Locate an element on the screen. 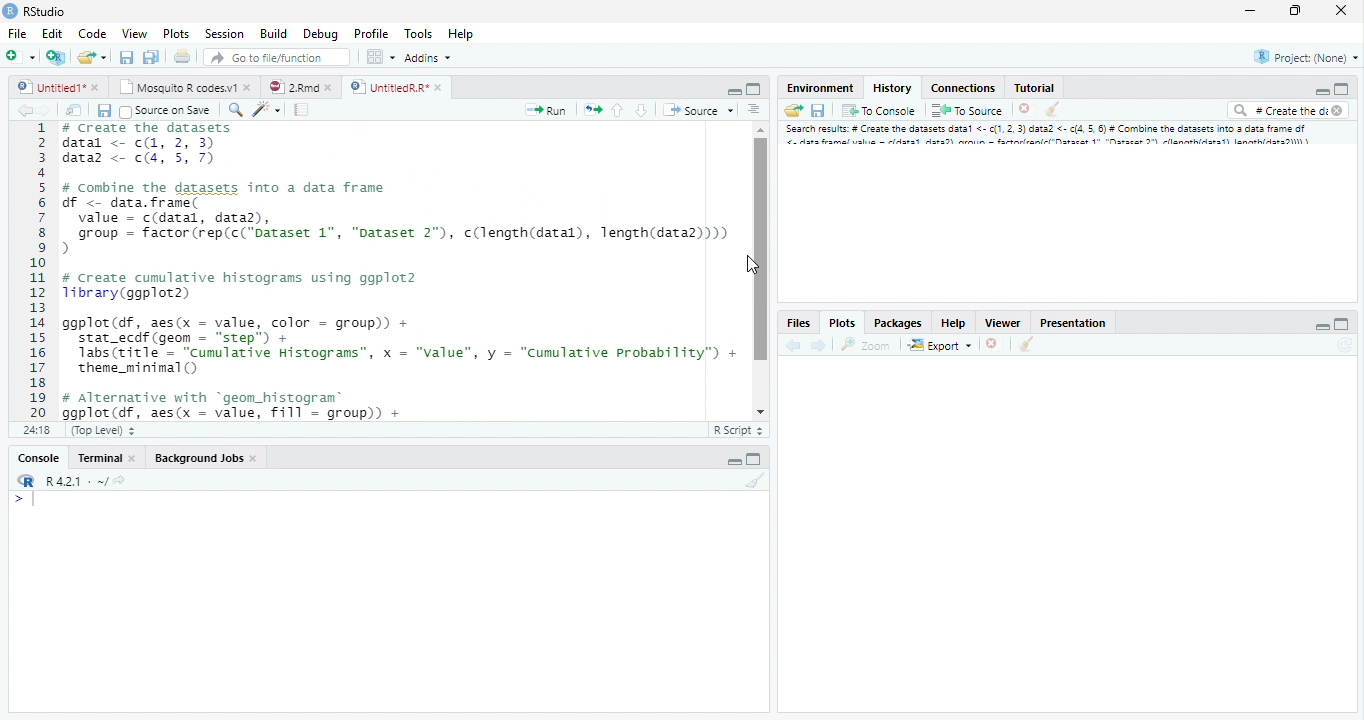 The height and width of the screenshot is (720, 1364). Background Jobs is located at coordinates (207, 458).